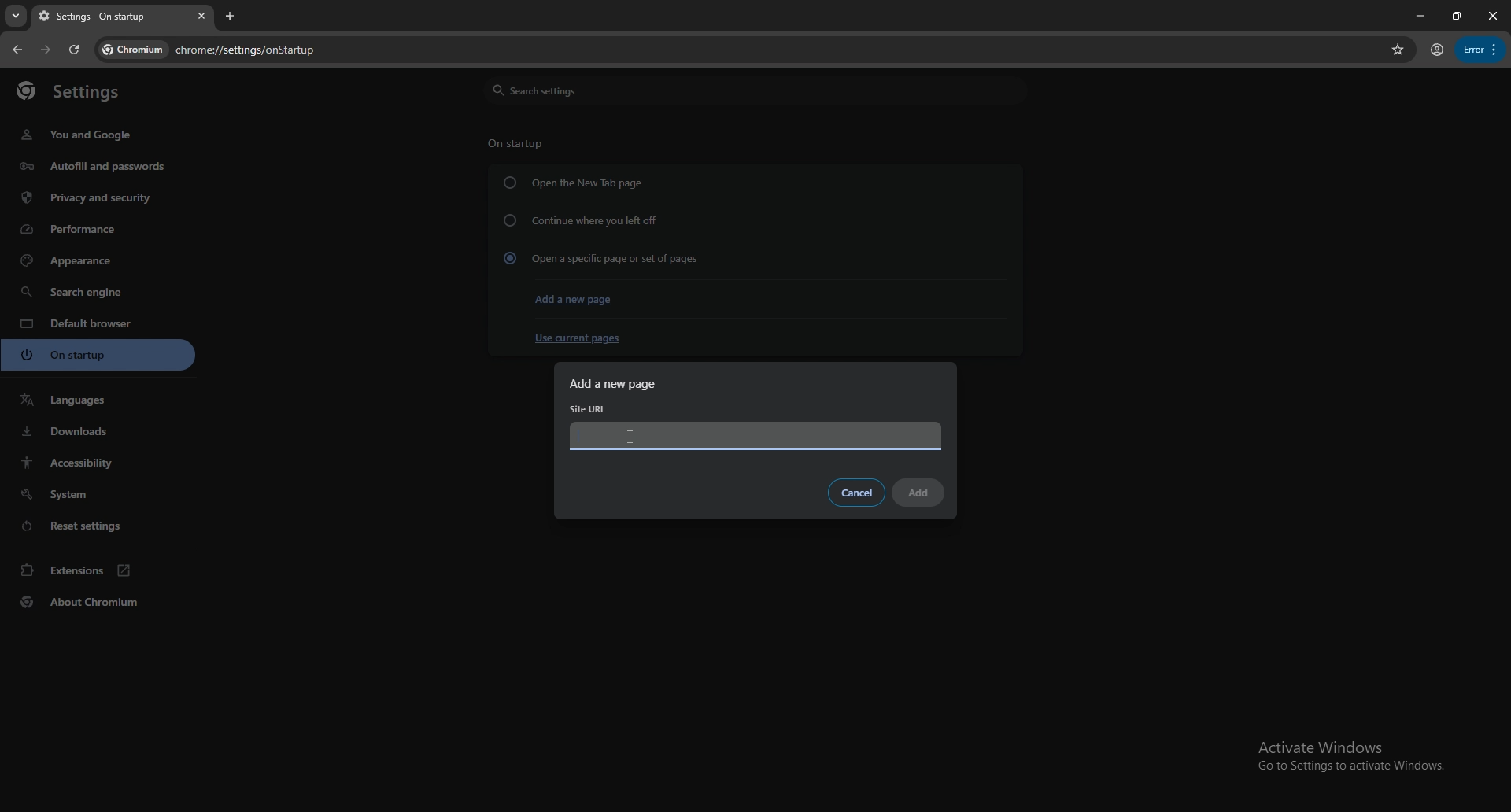 This screenshot has width=1511, height=812. What do you see at coordinates (631, 440) in the screenshot?
I see `mouse cursor` at bounding box center [631, 440].